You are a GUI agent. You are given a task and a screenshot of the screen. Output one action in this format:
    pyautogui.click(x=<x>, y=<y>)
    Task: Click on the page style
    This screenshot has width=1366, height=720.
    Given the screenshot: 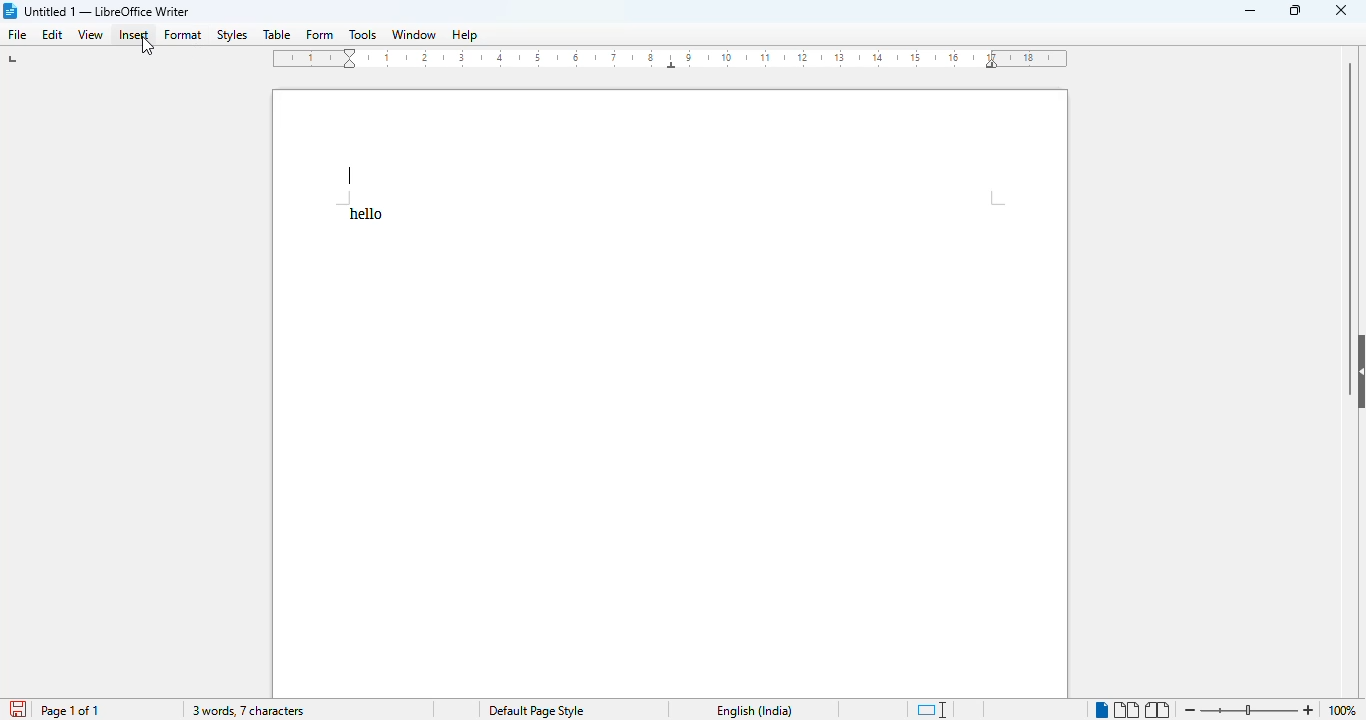 What is the action you would take?
    pyautogui.click(x=536, y=710)
    